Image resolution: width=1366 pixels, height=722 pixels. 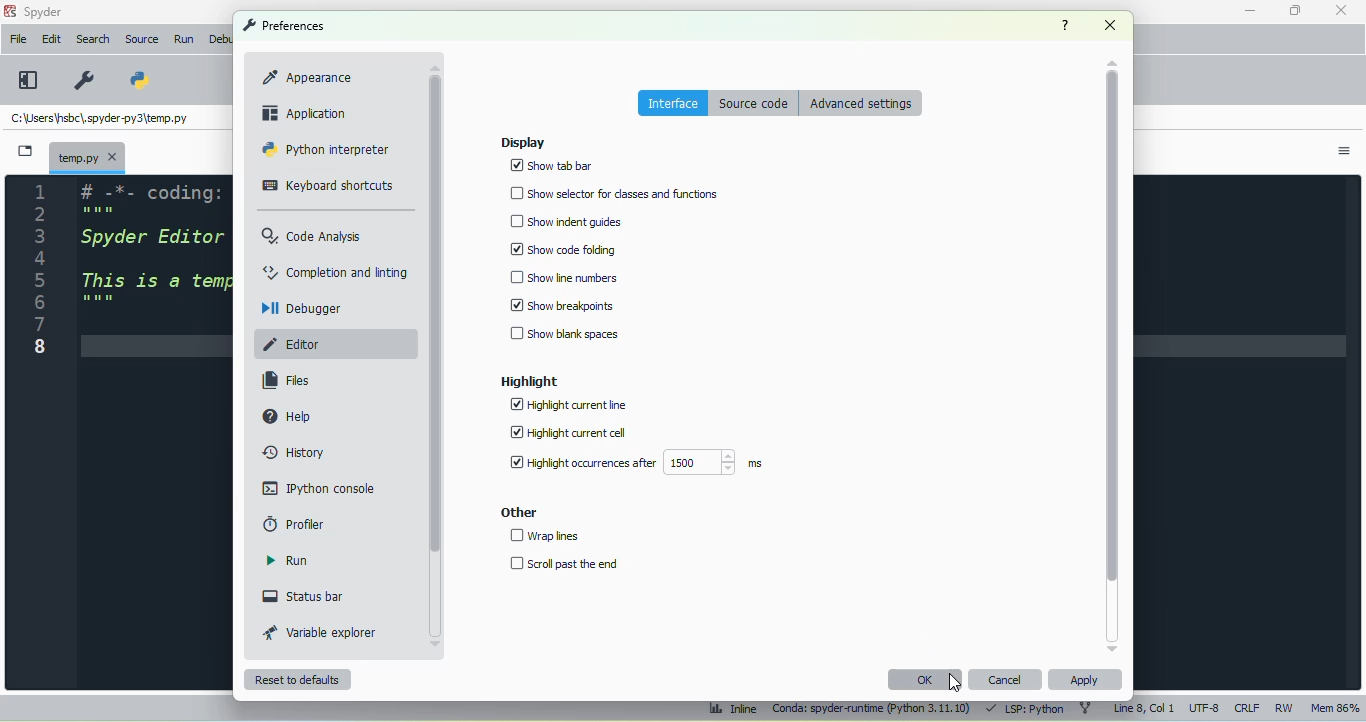 I want to click on PYTHONPATH manager, so click(x=140, y=79).